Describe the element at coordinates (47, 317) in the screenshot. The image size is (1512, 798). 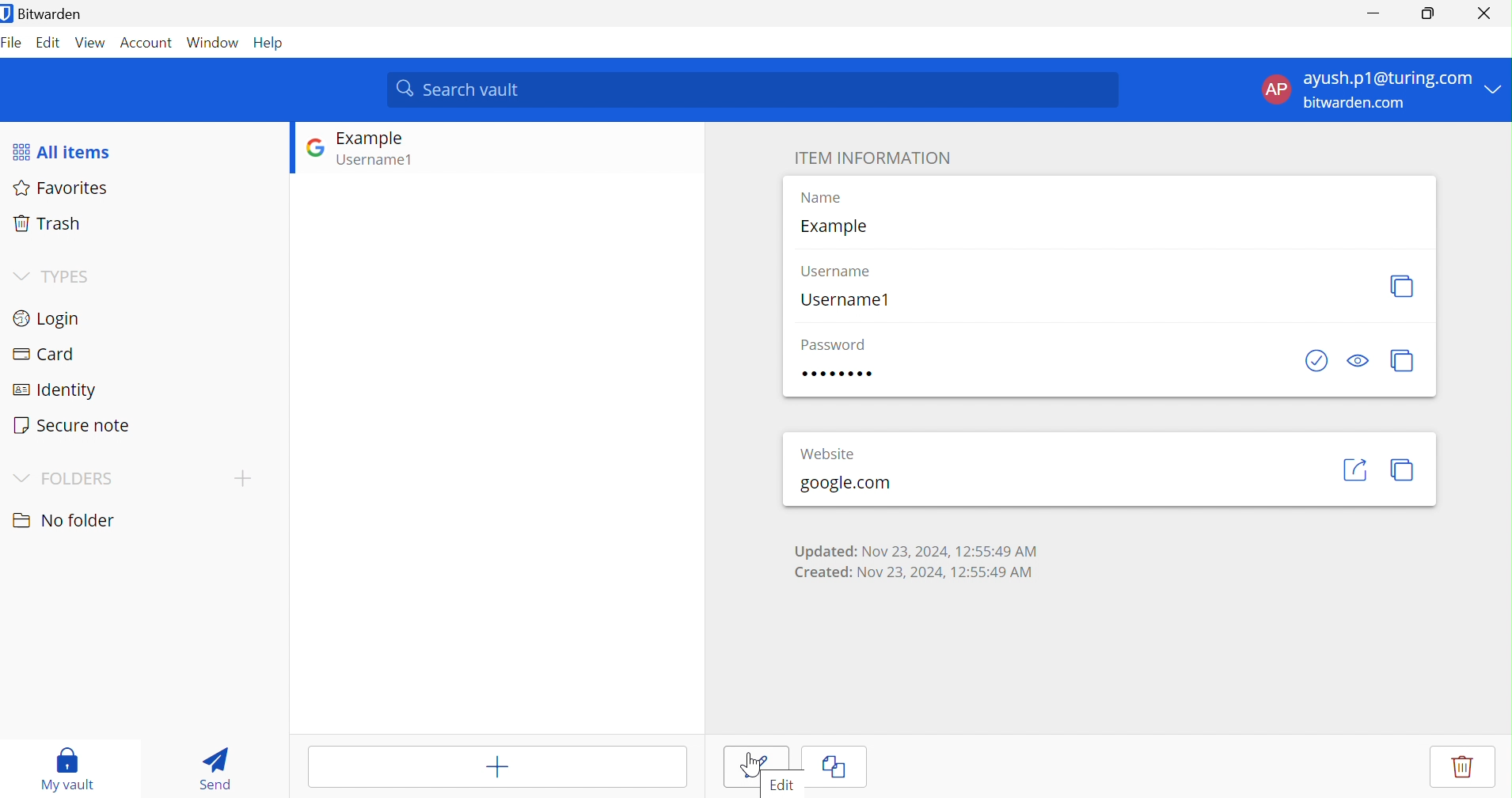
I see `Login` at that location.